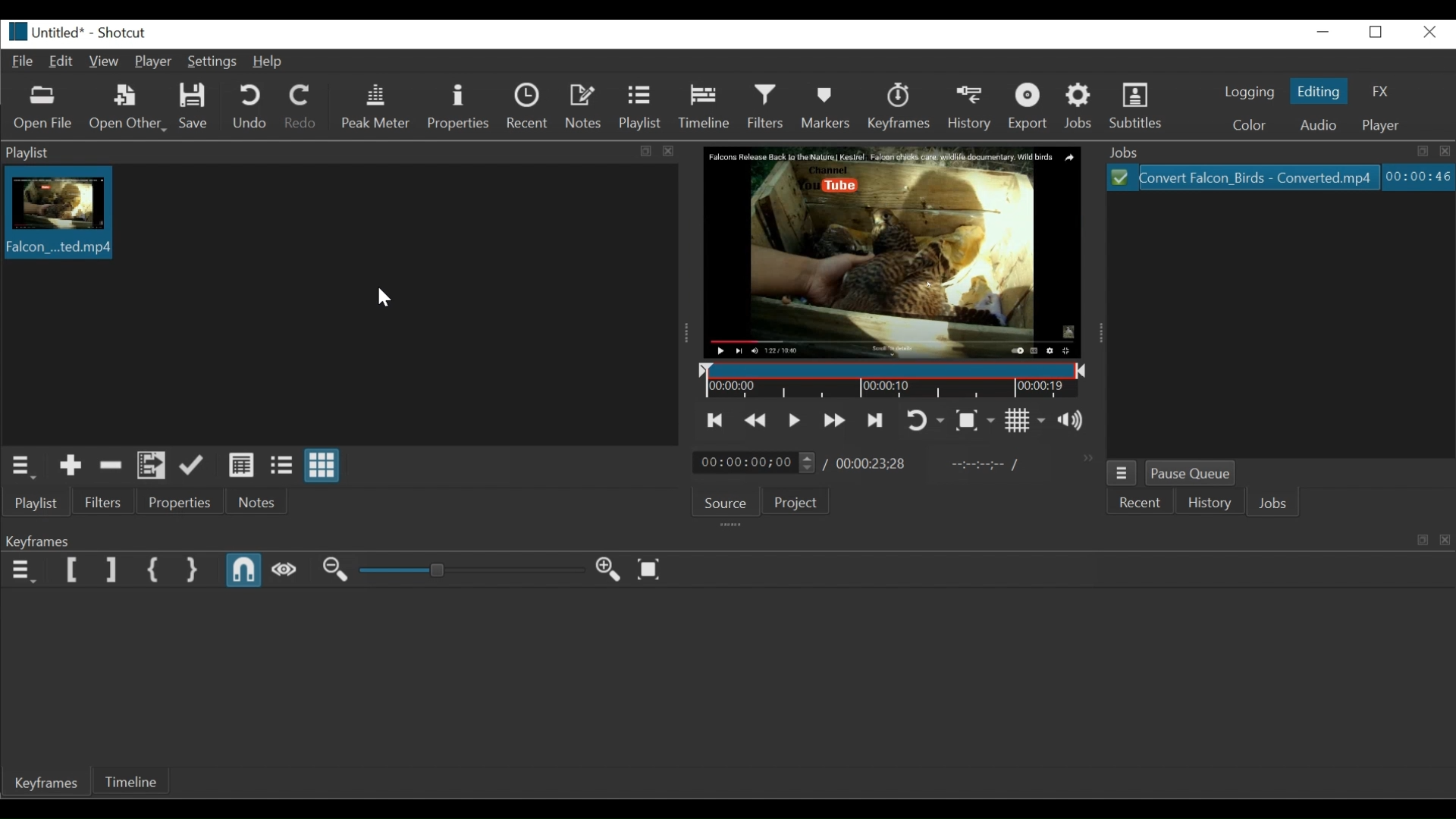  Describe the element at coordinates (986, 465) in the screenshot. I see `In point` at that location.